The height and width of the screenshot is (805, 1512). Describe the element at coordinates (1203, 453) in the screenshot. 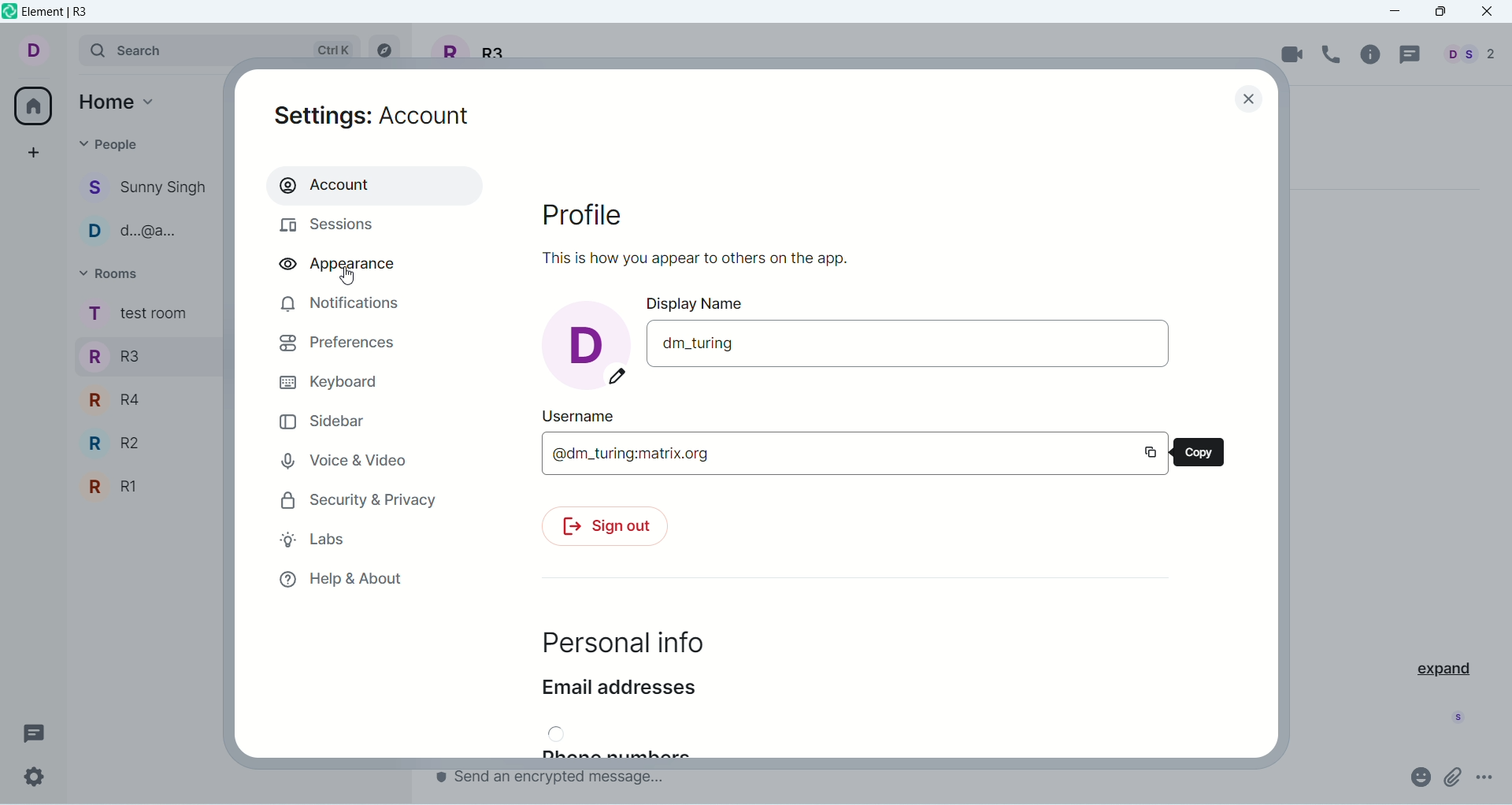

I see `copy` at that location.